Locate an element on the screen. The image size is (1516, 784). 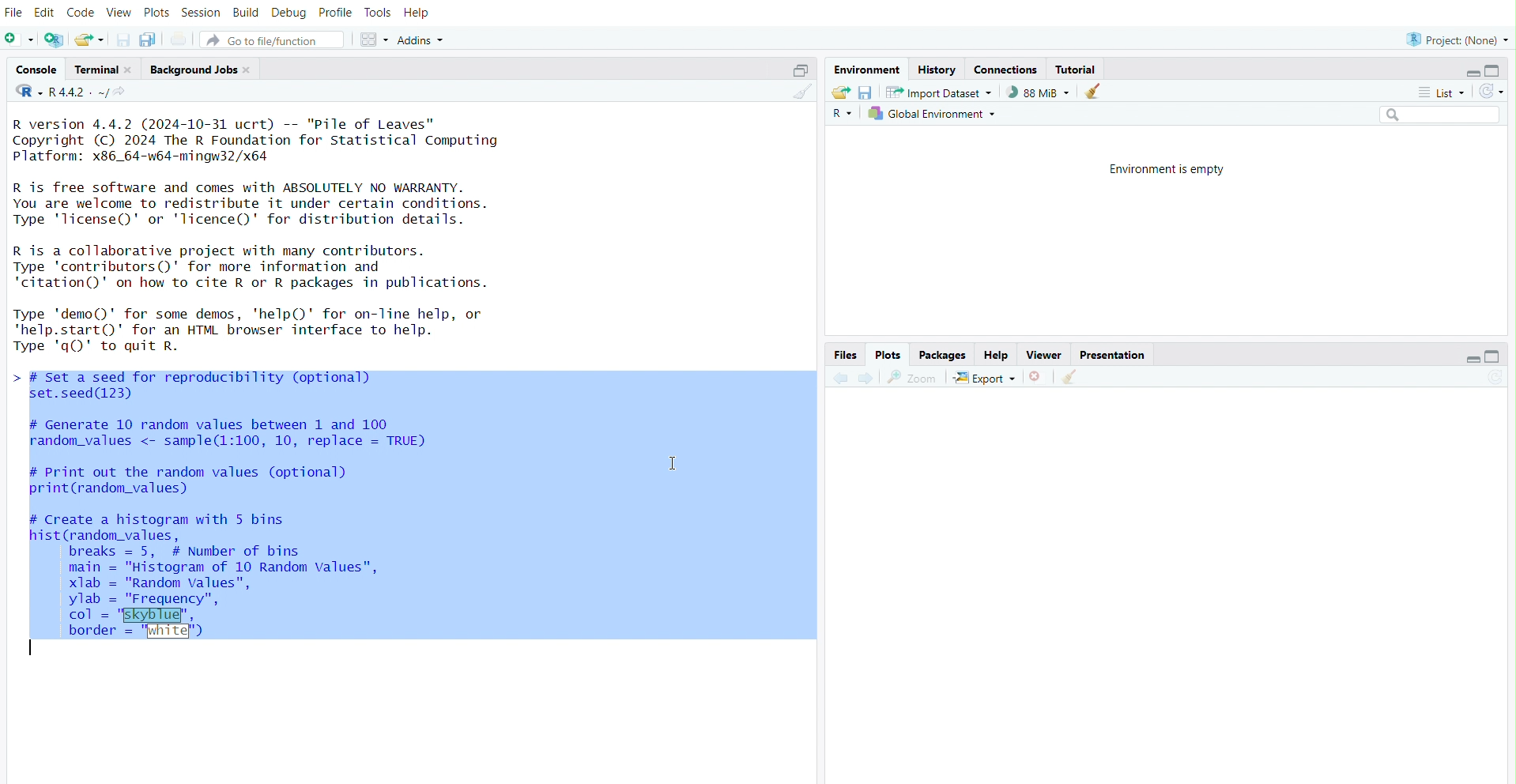
cursor is located at coordinates (670, 465).